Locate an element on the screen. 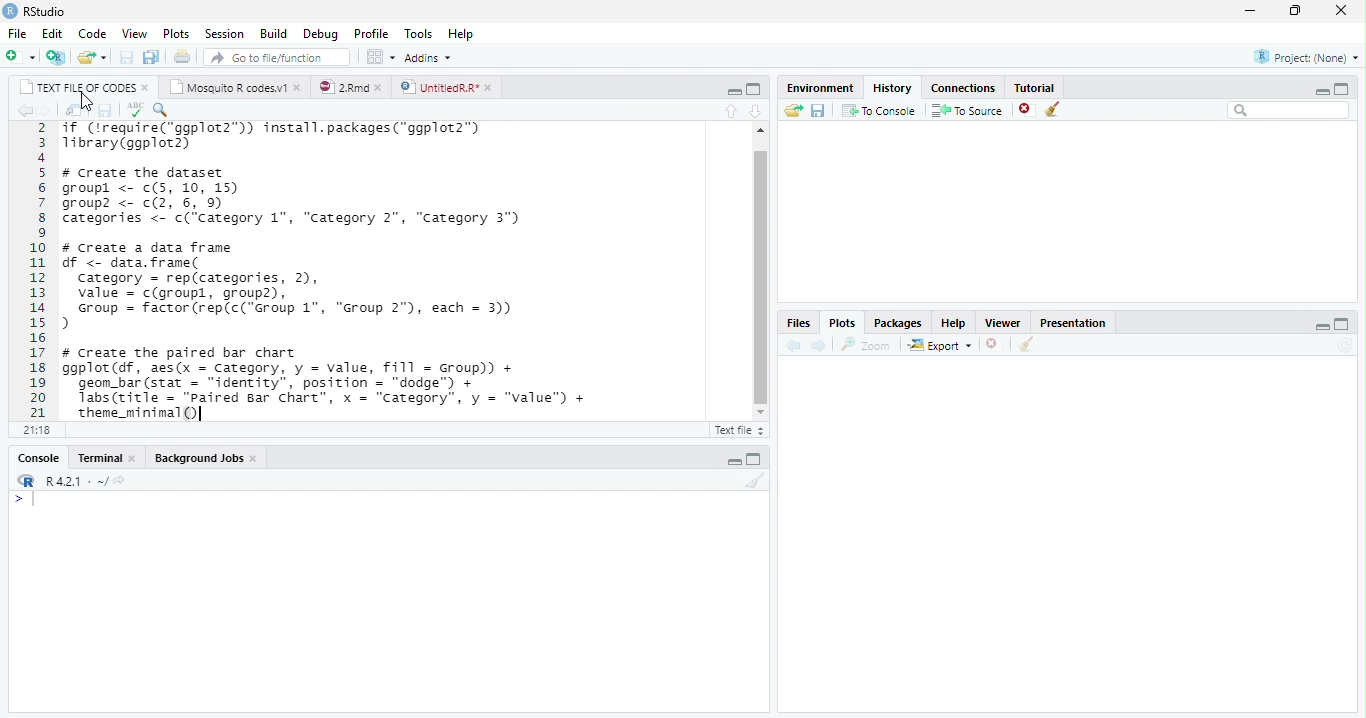 The height and width of the screenshot is (718, 1366). go back is located at coordinates (21, 110).